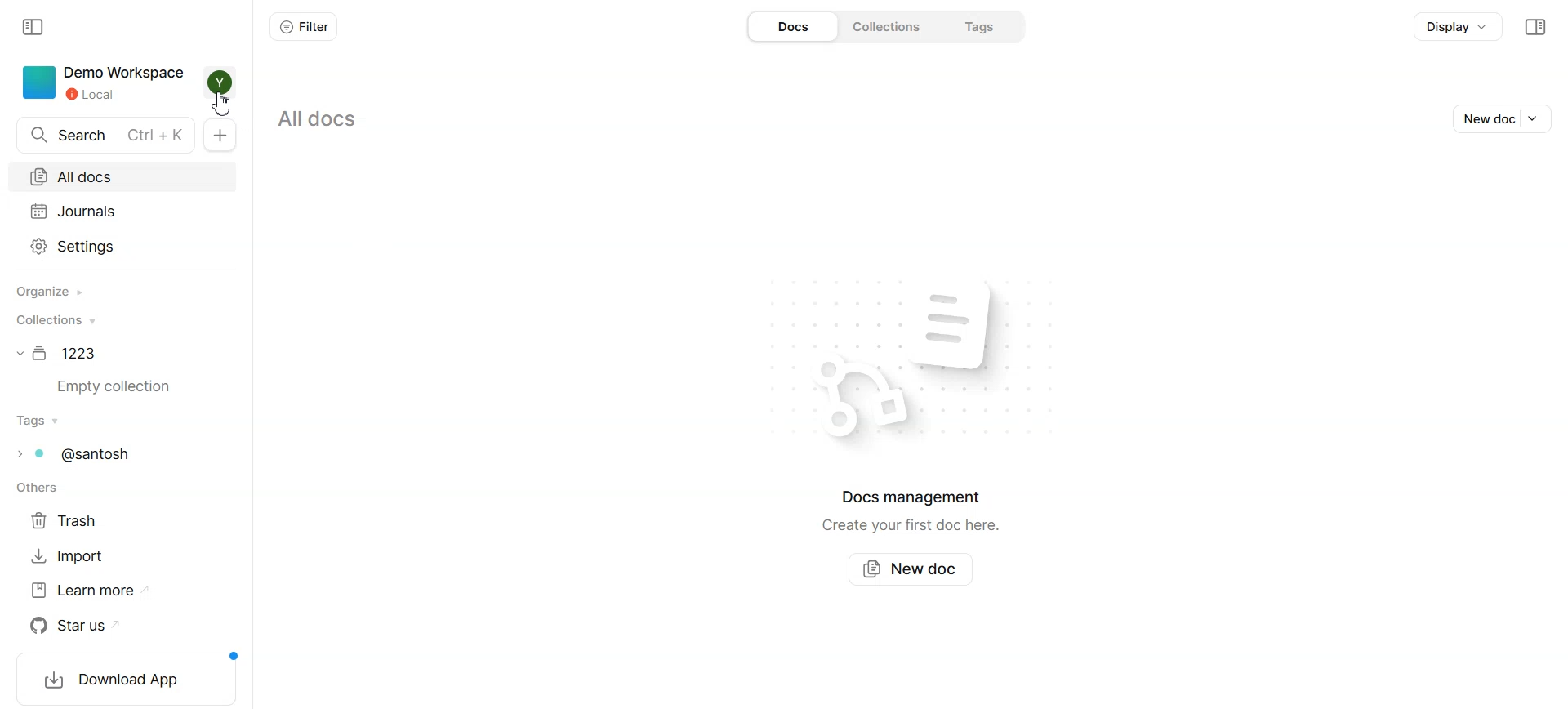  What do you see at coordinates (90, 591) in the screenshot?
I see `Learn more` at bounding box center [90, 591].